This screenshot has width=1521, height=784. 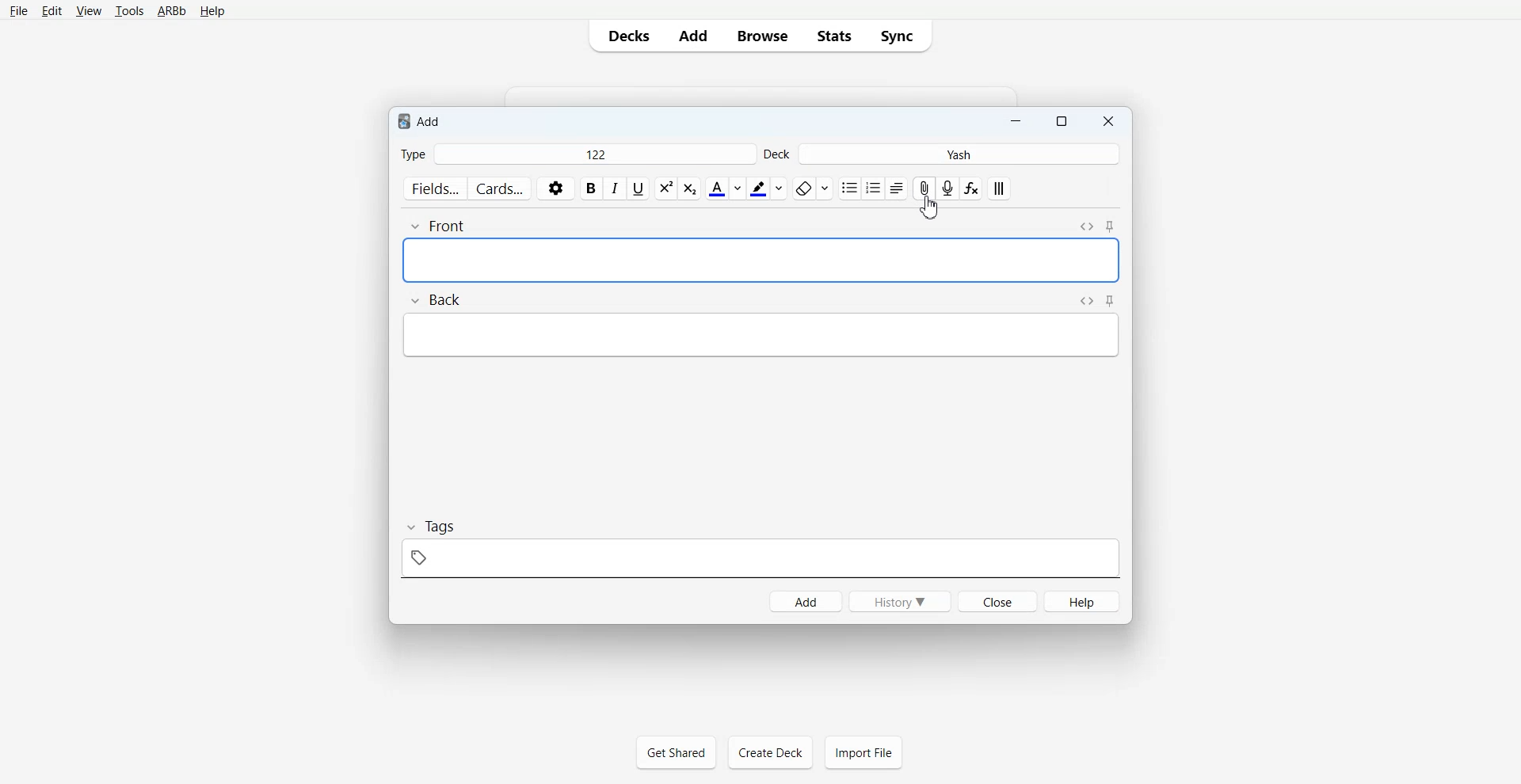 I want to click on ARBb, so click(x=170, y=10).